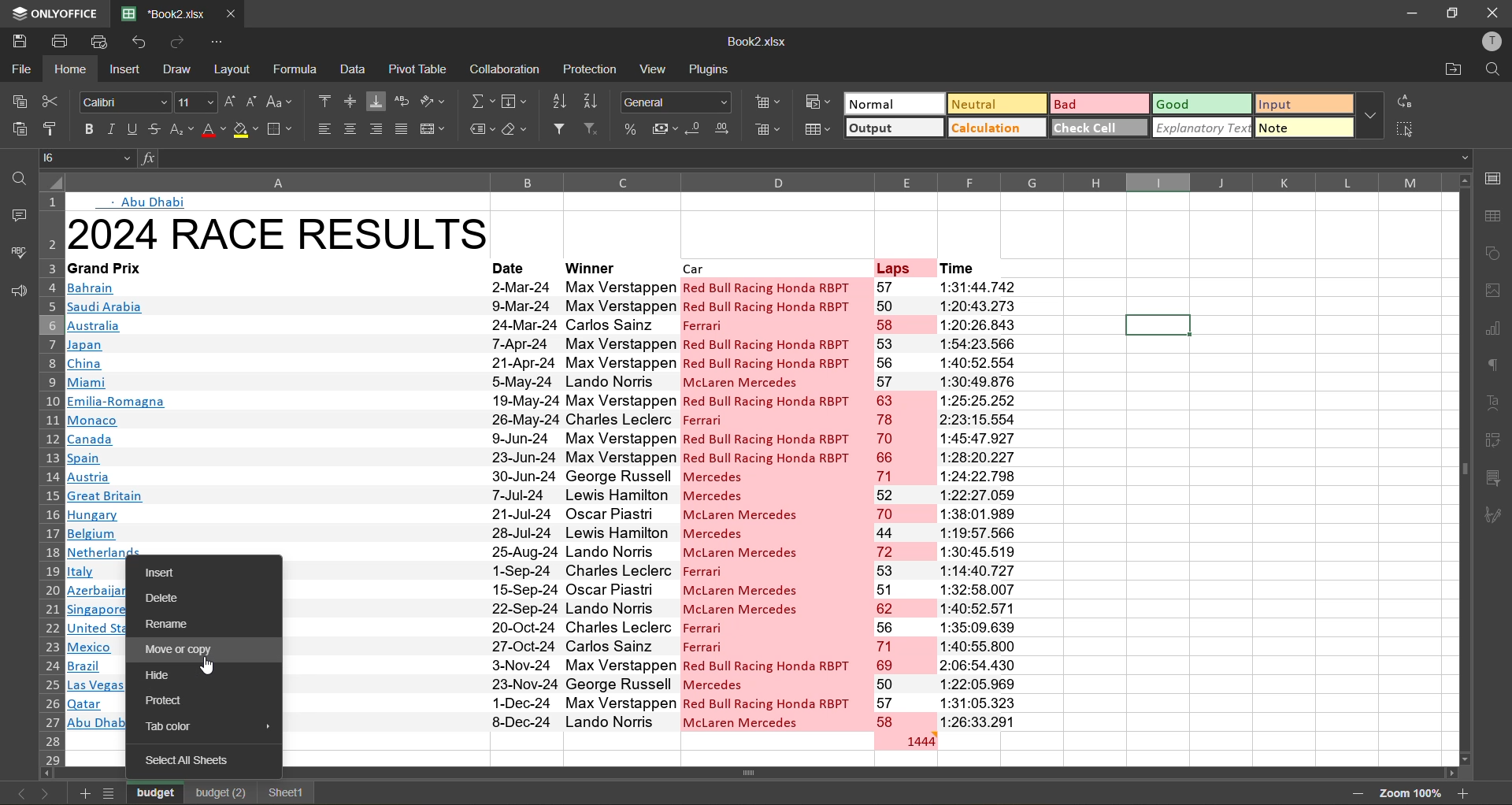 The width and height of the screenshot is (1512, 805). Describe the element at coordinates (597, 131) in the screenshot. I see `clear filter` at that location.